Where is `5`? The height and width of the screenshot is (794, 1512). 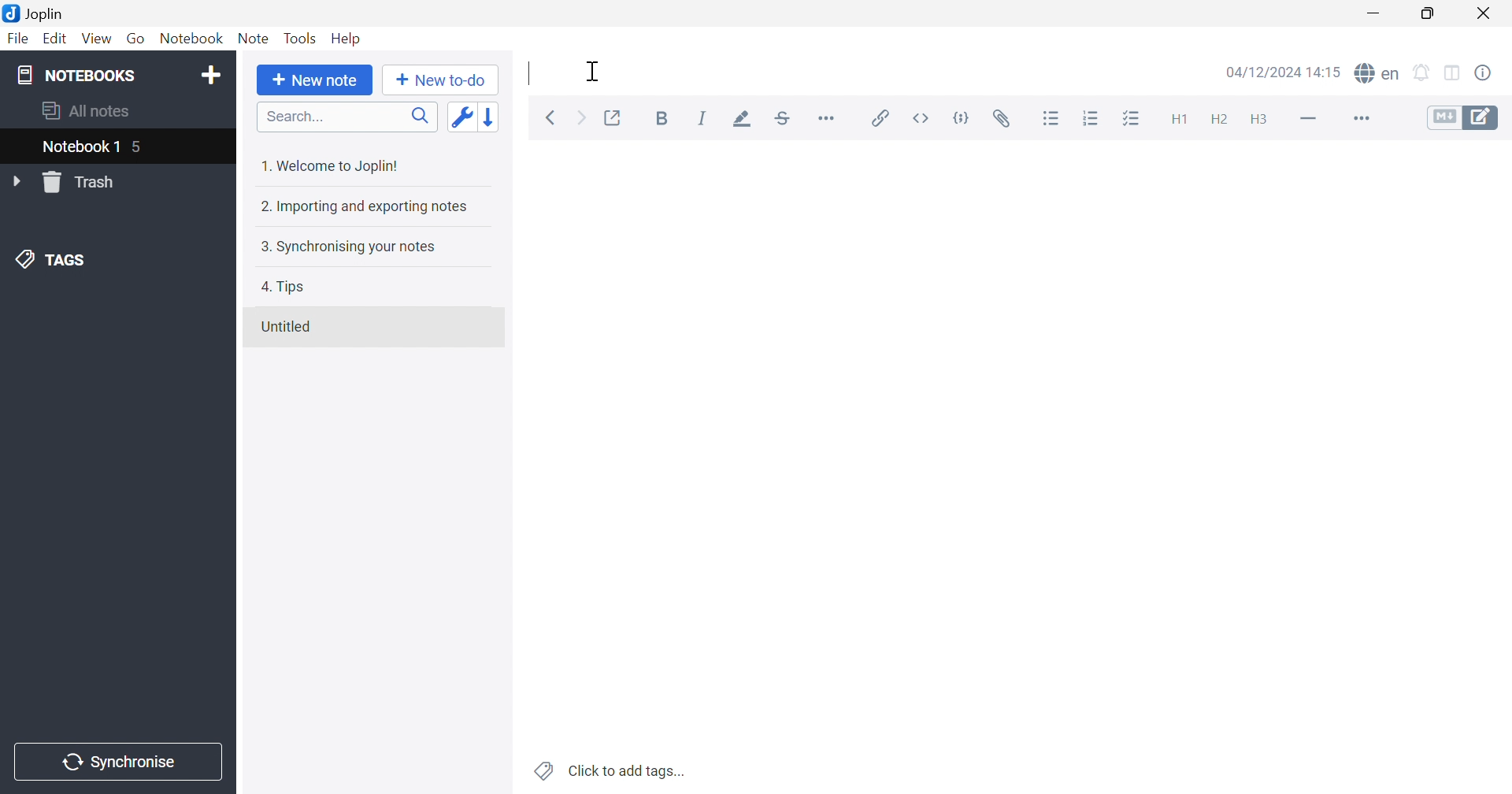
5 is located at coordinates (139, 149).